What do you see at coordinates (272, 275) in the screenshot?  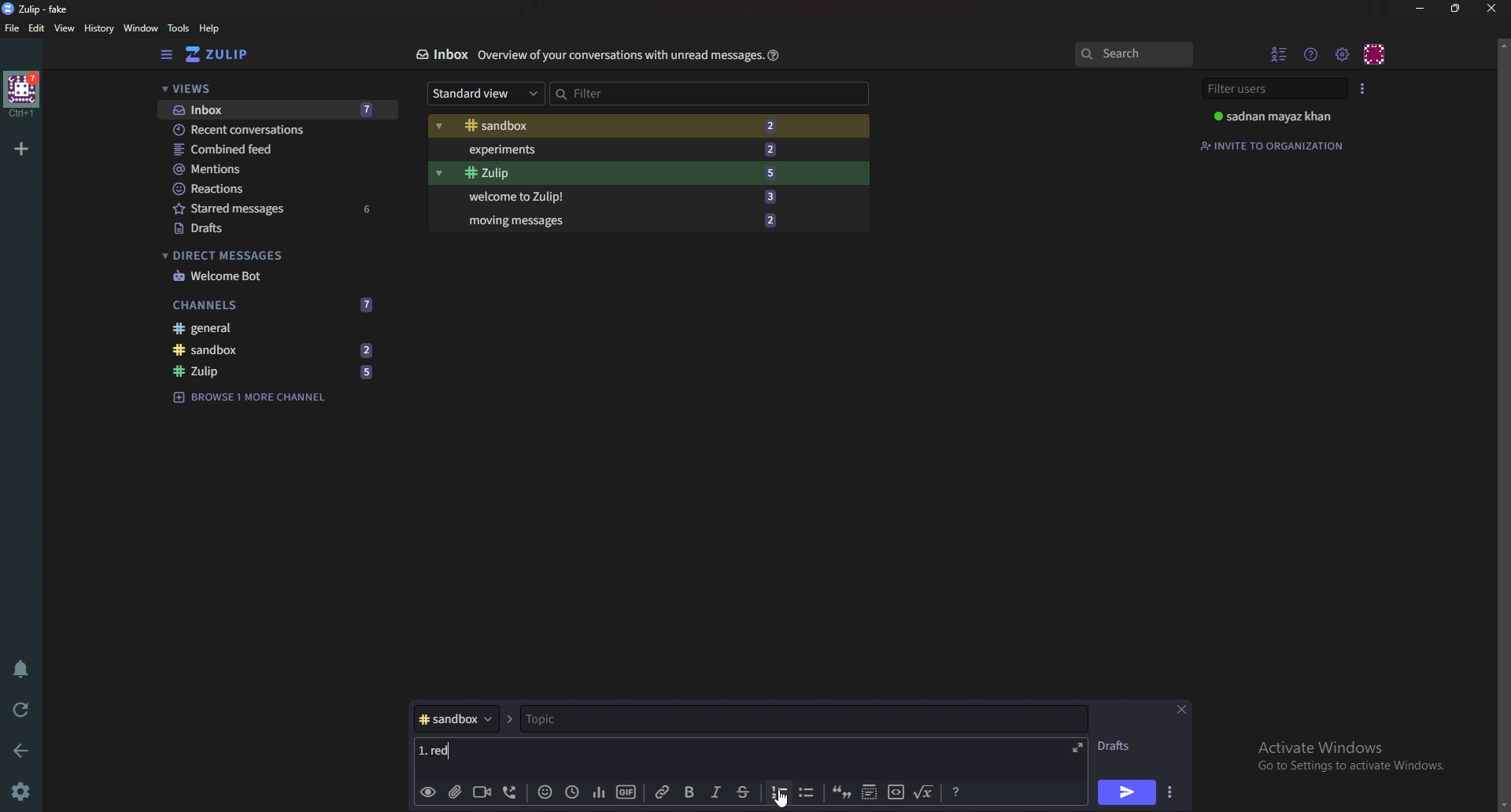 I see `welcome bot` at bounding box center [272, 275].